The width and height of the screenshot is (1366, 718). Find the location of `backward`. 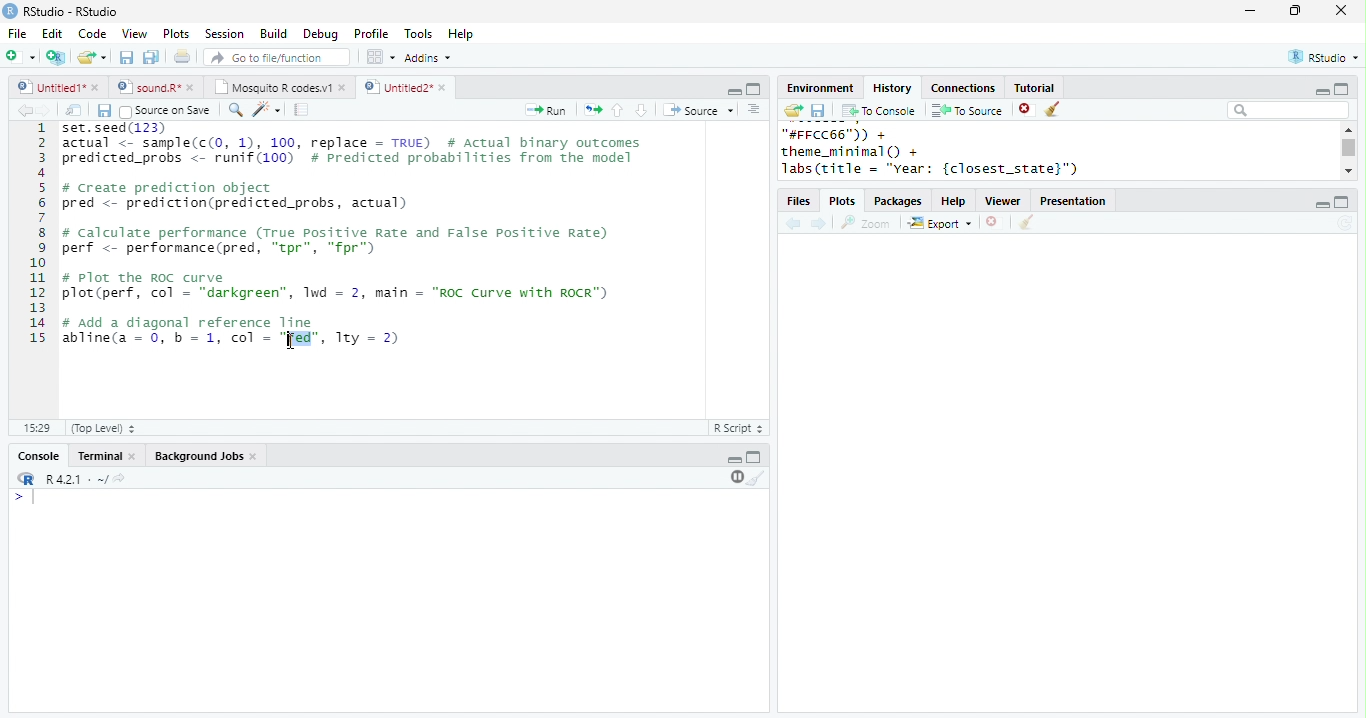

backward is located at coordinates (24, 110).